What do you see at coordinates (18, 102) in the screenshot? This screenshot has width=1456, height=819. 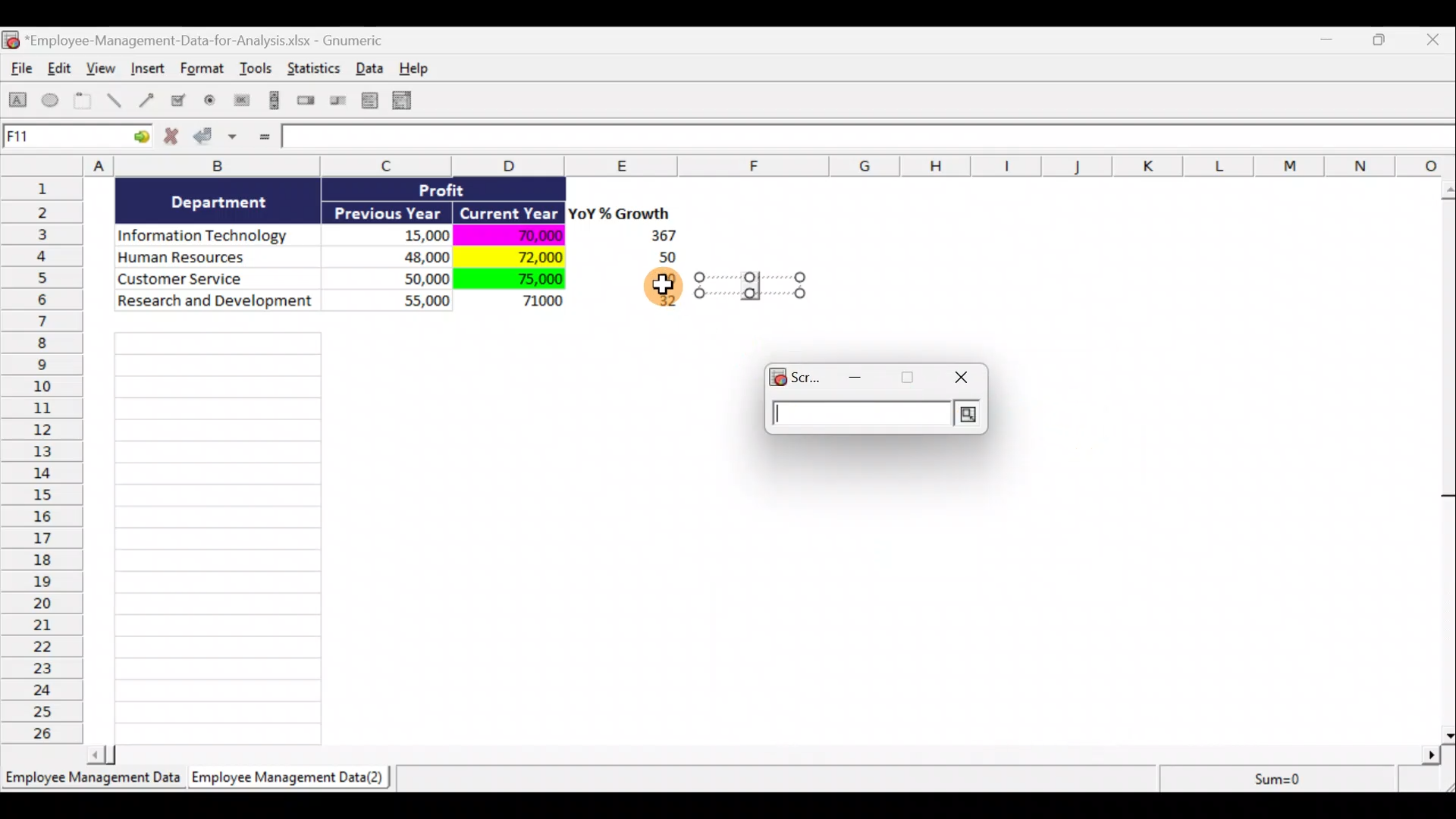 I see `Create a rectangle object` at bounding box center [18, 102].